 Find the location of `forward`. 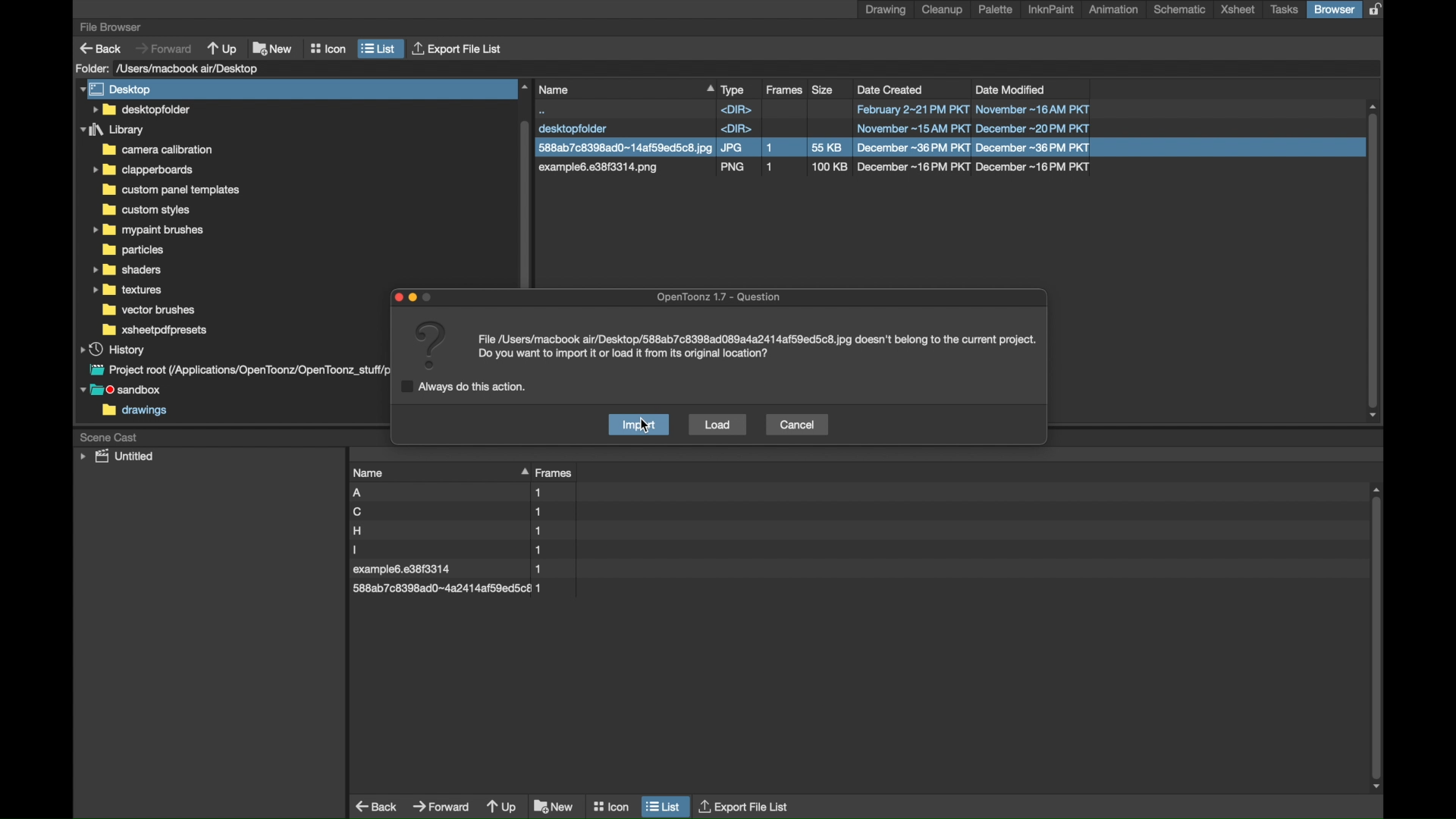

forward is located at coordinates (163, 48).